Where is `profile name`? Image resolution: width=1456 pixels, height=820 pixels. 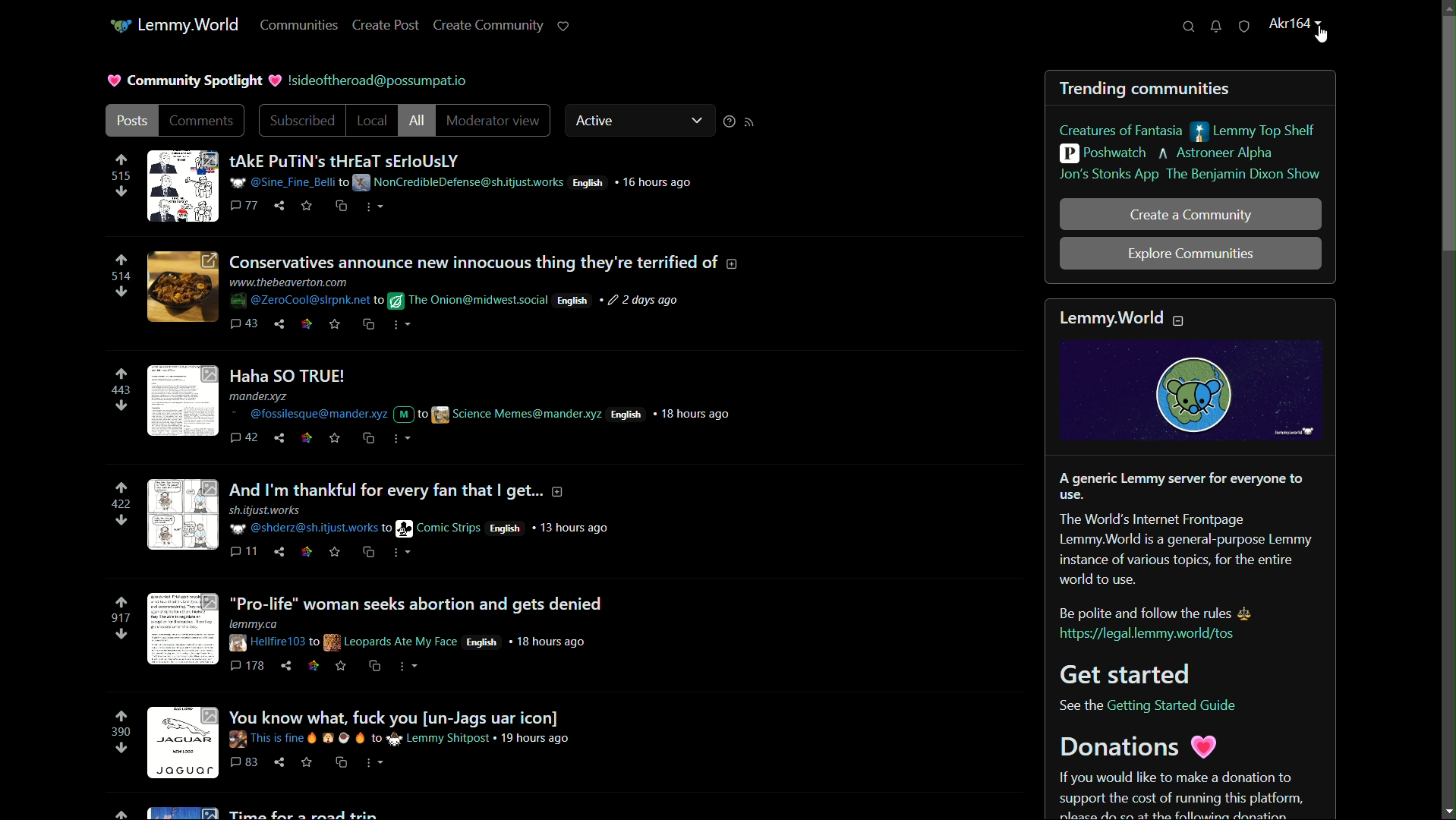
profile name is located at coordinates (1294, 22).